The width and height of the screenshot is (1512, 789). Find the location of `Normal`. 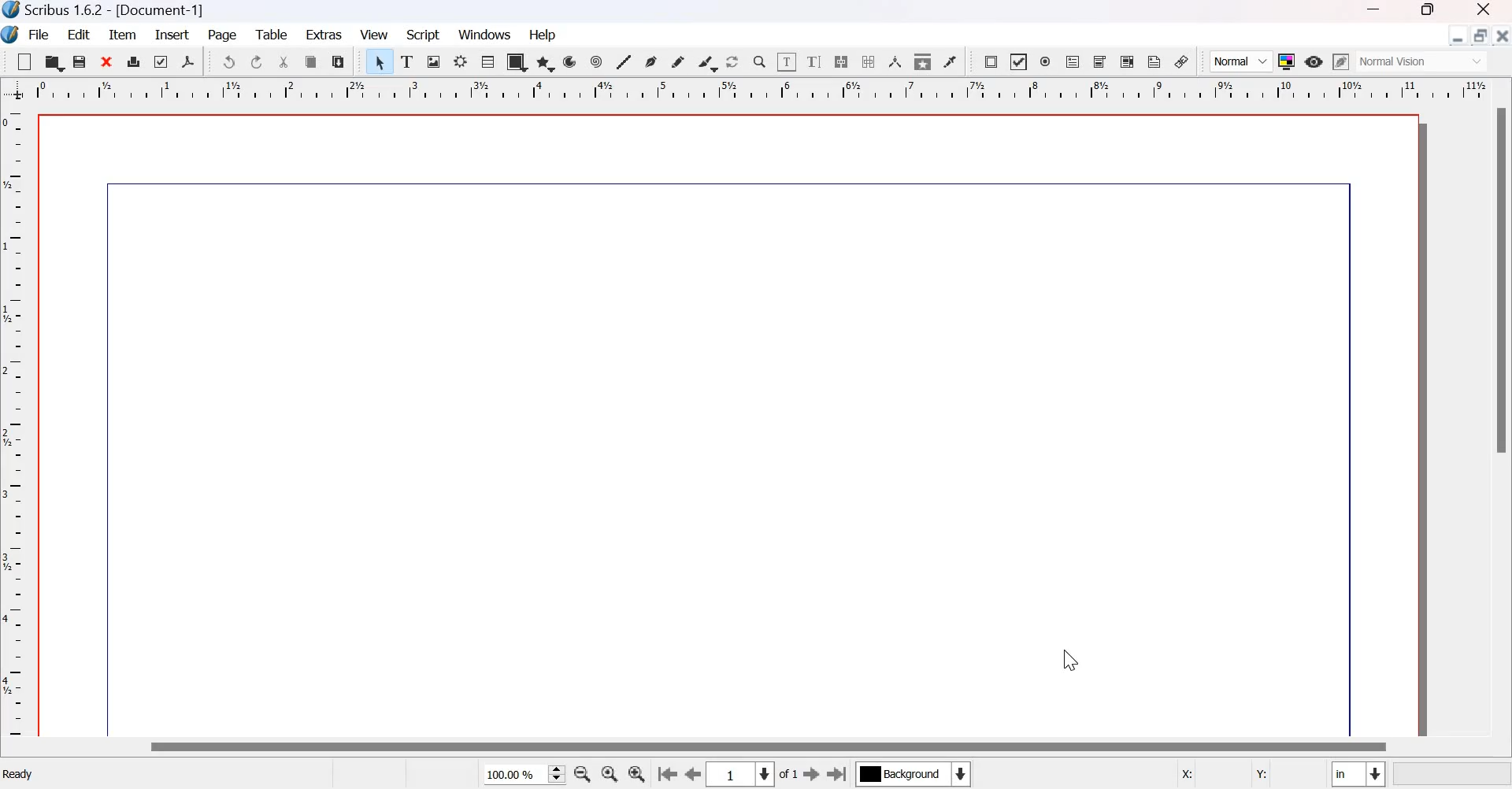

Normal is located at coordinates (1242, 62).